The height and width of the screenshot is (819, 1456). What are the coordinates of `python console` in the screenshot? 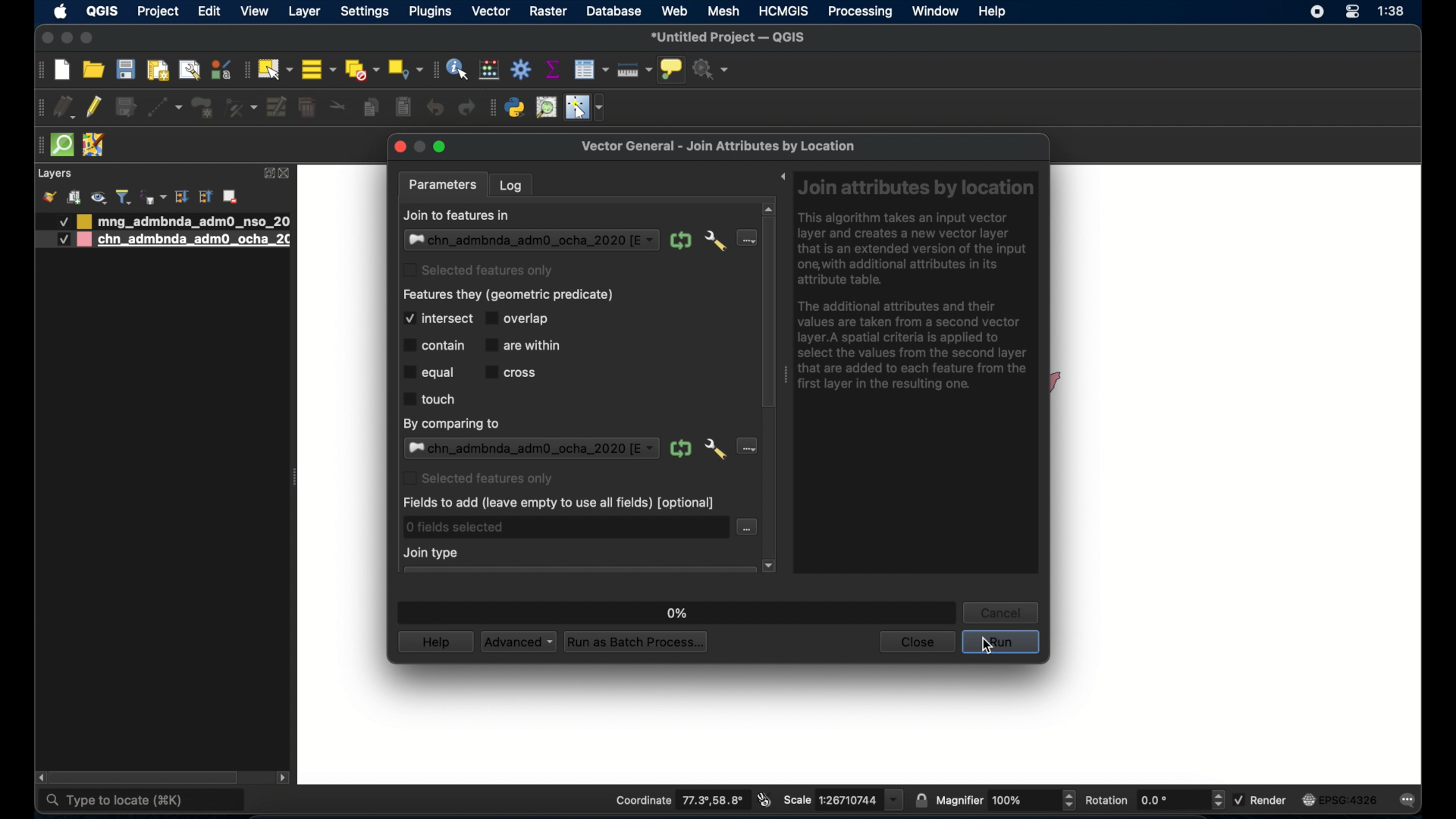 It's located at (516, 108).